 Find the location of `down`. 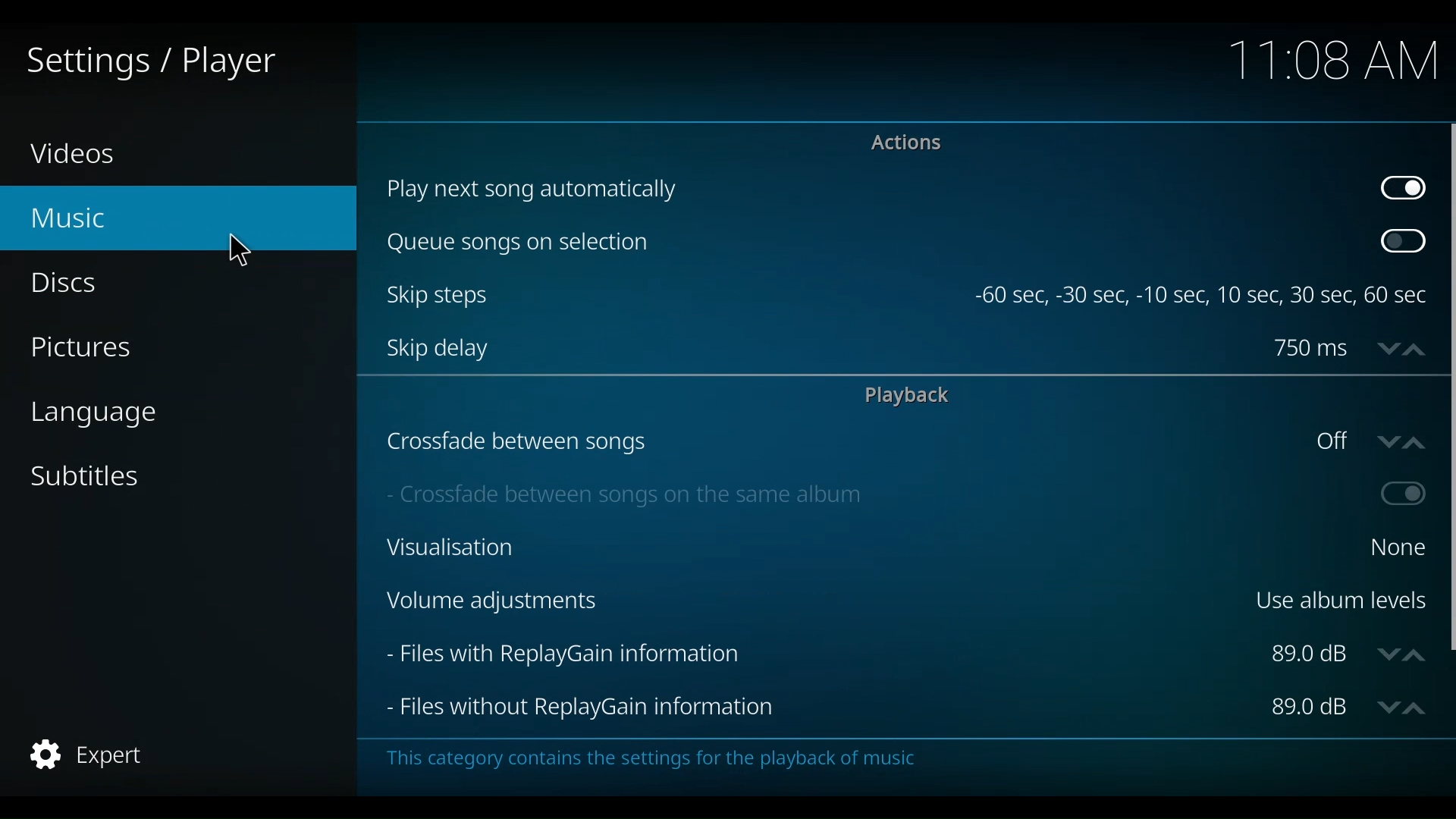

down is located at coordinates (1387, 654).